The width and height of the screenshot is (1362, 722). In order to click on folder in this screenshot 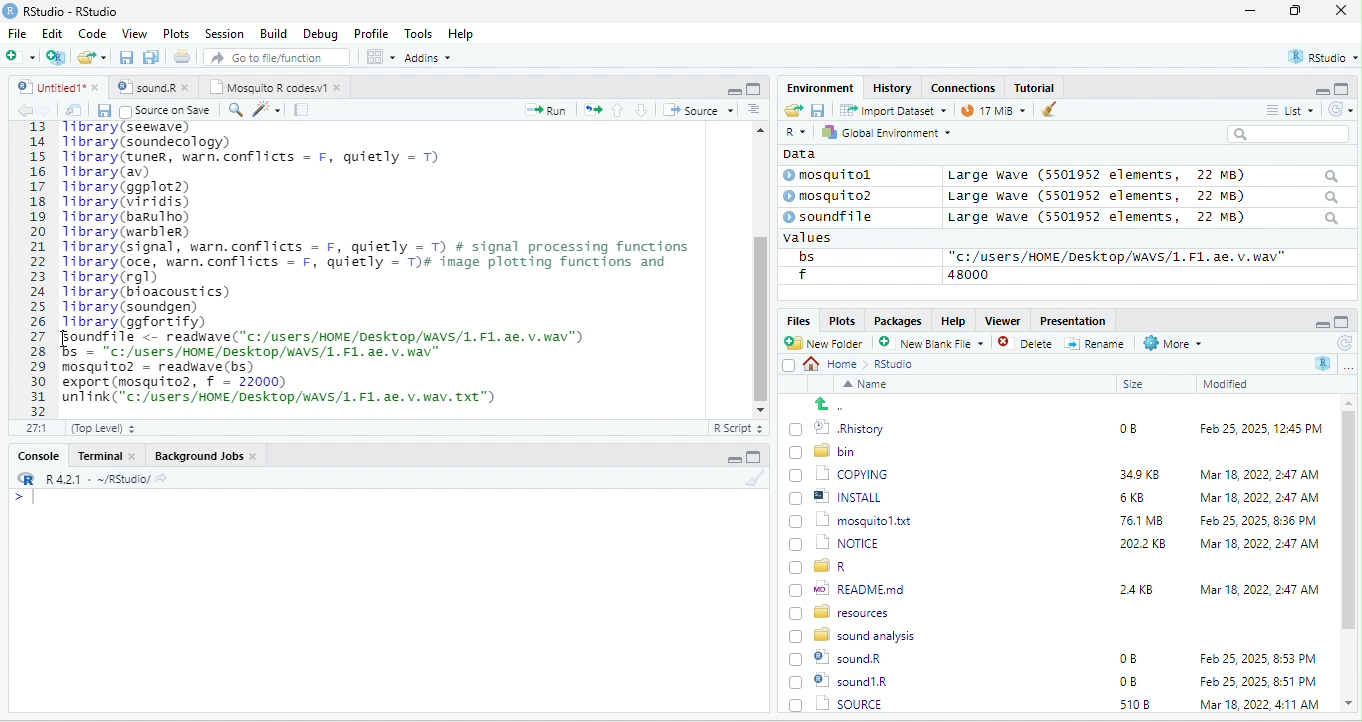, I will do `click(94, 57)`.